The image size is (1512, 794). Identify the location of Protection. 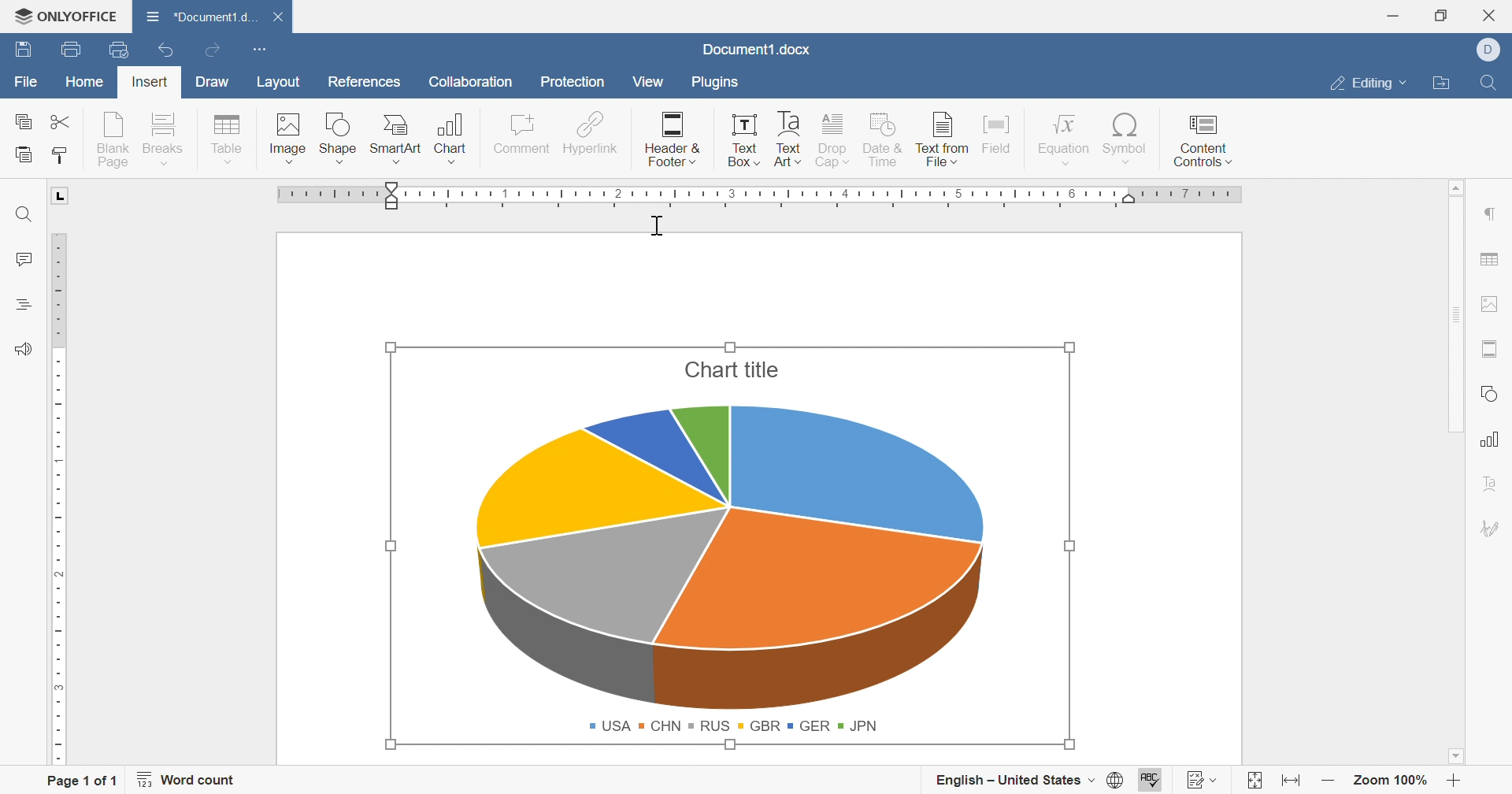
(575, 83).